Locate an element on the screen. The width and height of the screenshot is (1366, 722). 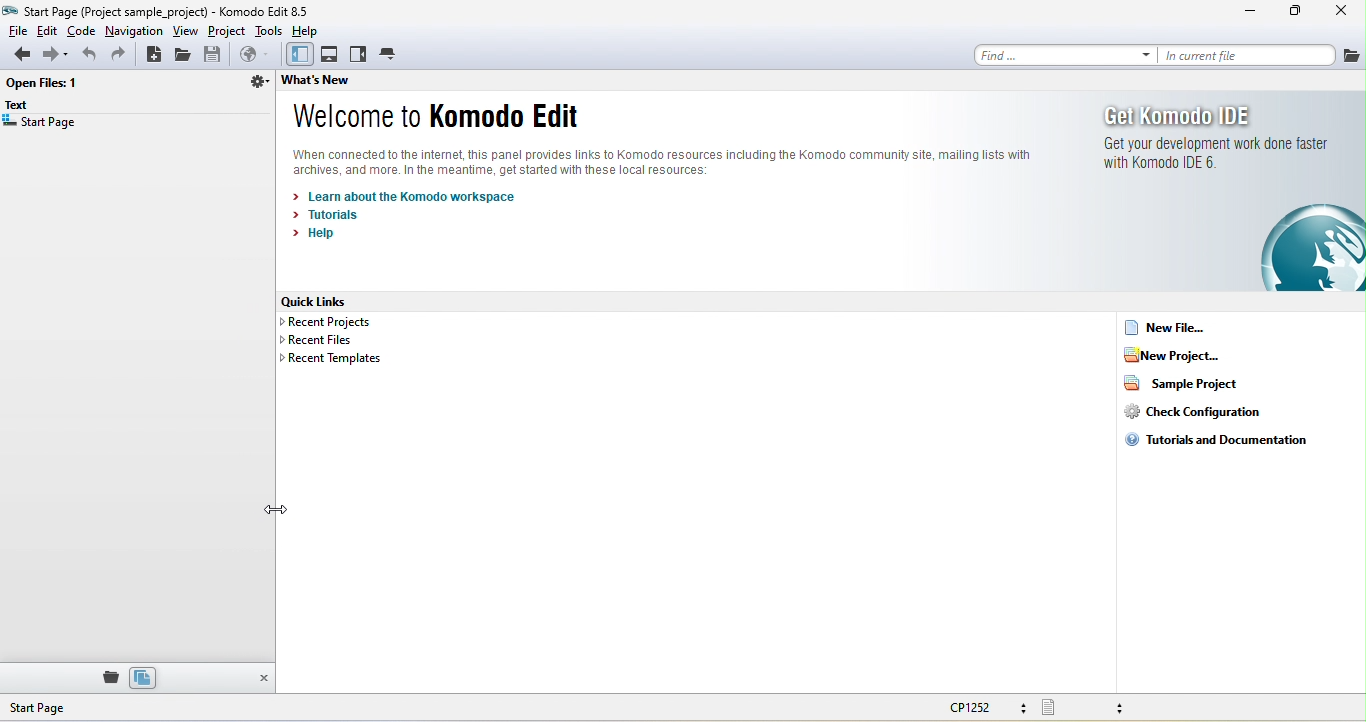
file is located at coordinates (1351, 54).